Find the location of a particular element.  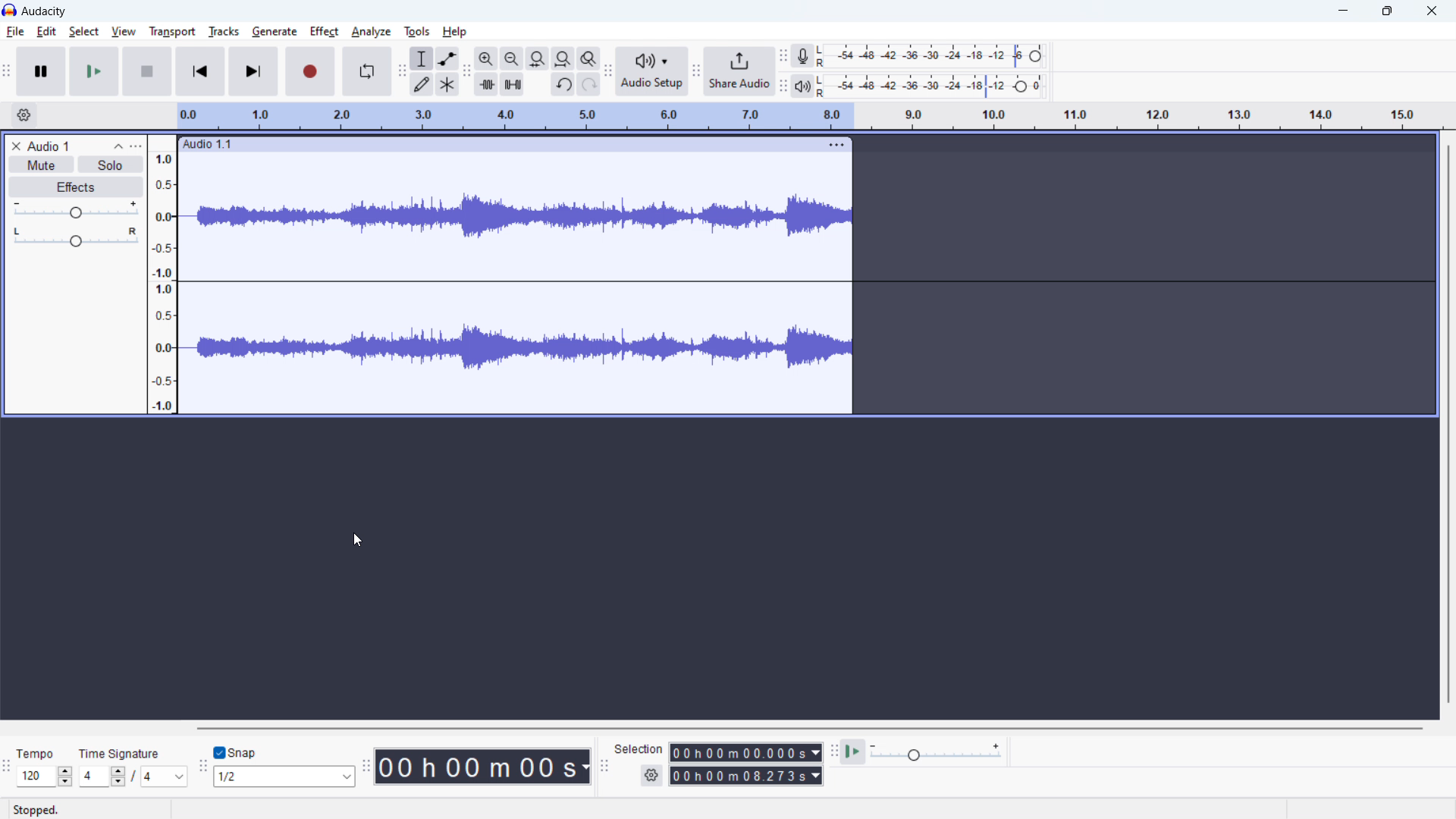

share audio toolbar is located at coordinates (696, 71).